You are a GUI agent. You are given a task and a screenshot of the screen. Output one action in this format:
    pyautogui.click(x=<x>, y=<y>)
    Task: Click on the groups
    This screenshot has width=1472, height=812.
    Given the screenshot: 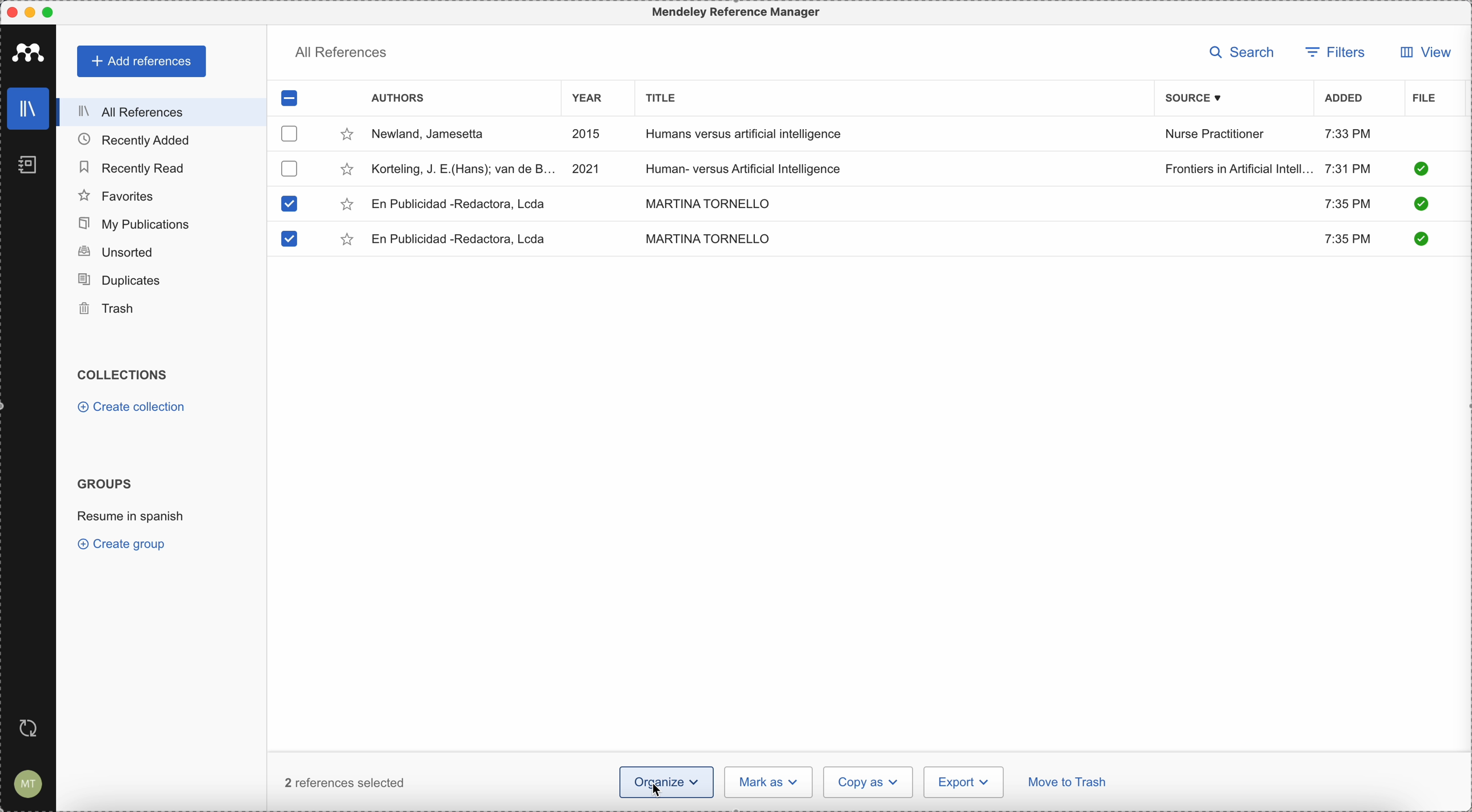 What is the action you would take?
    pyautogui.click(x=104, y=482)
    